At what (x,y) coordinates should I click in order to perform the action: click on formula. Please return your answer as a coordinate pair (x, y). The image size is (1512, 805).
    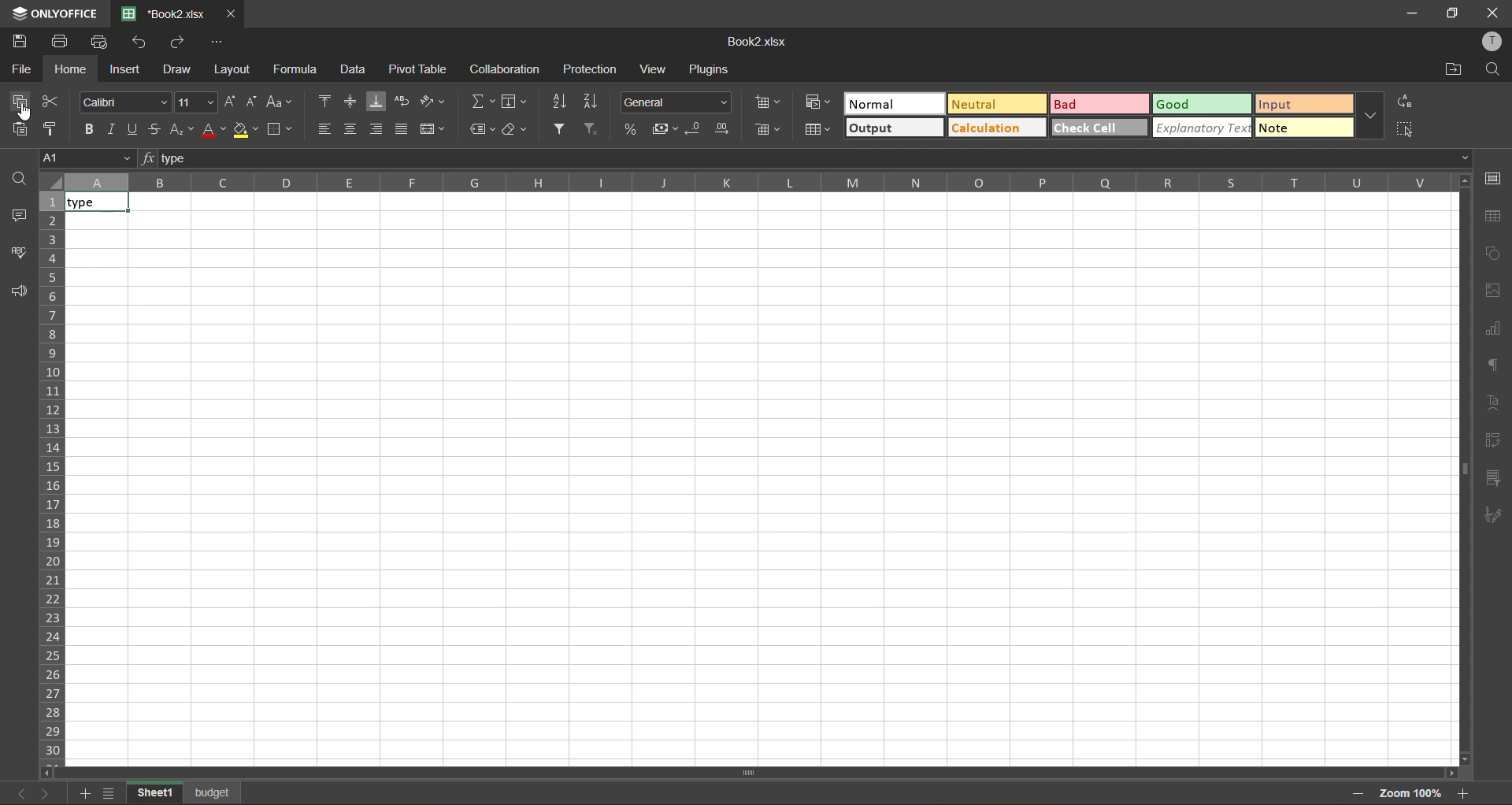
    Looking at the image, I should click on (294, 69).